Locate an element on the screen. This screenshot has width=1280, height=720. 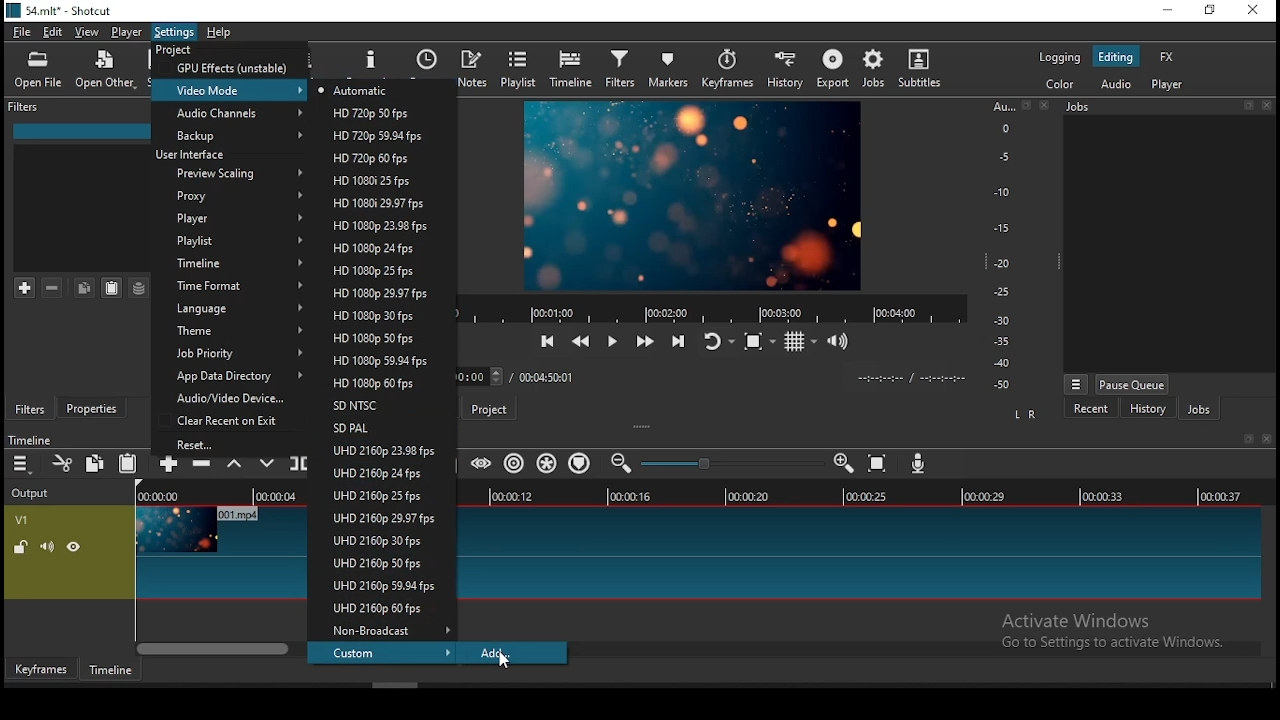
player is located at coordinates (128, 33).